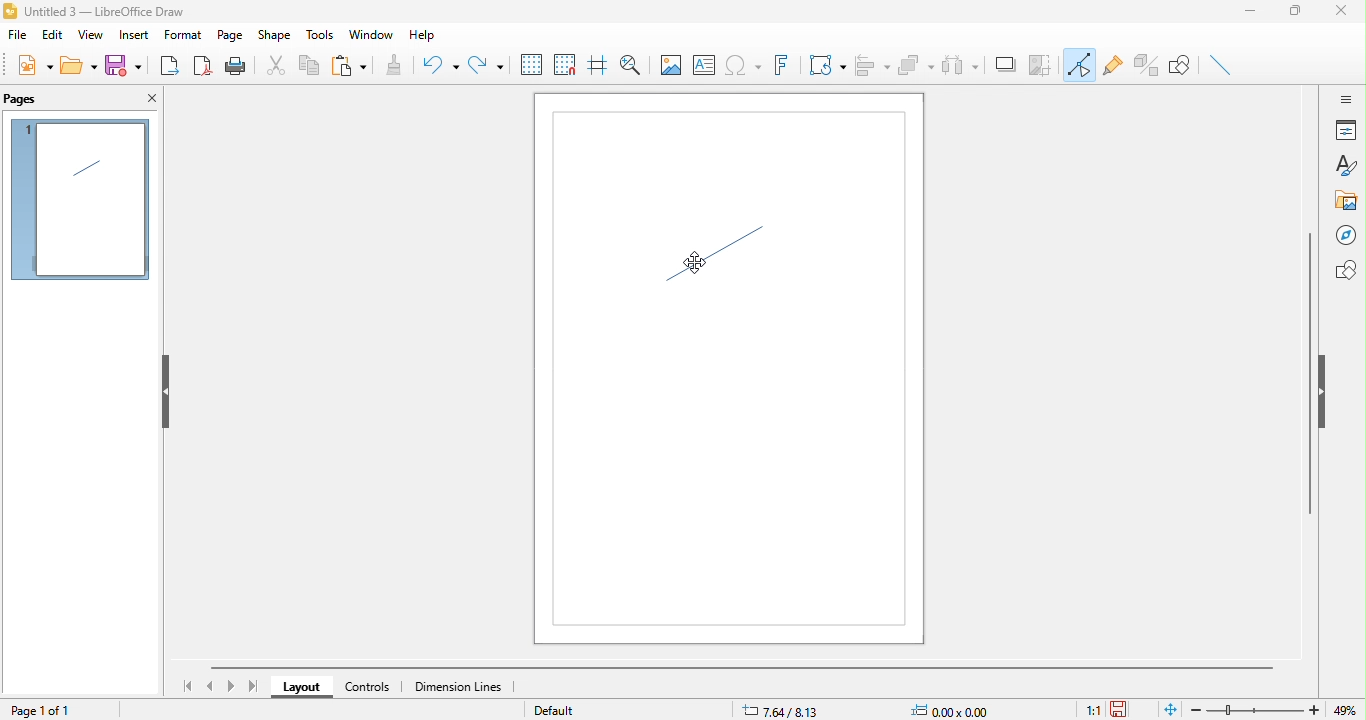  Describe the element at coordinates (252, 686) in the screenshot. I see `last page` at that location.